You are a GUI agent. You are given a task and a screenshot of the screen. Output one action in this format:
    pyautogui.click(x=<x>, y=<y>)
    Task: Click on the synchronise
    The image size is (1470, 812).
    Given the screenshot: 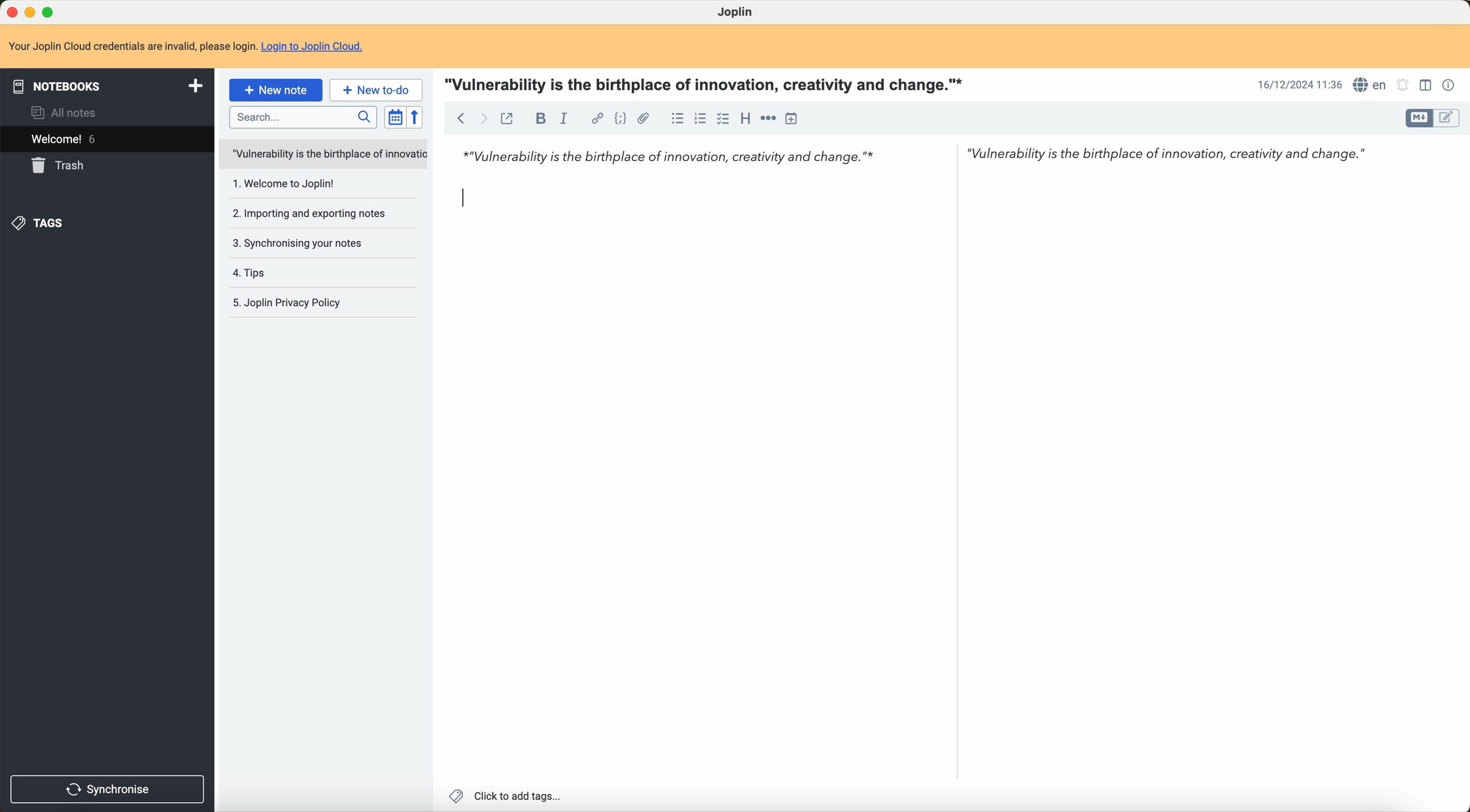 What is the action you would take?
    pyautogui.click(x=109, y=789)
    